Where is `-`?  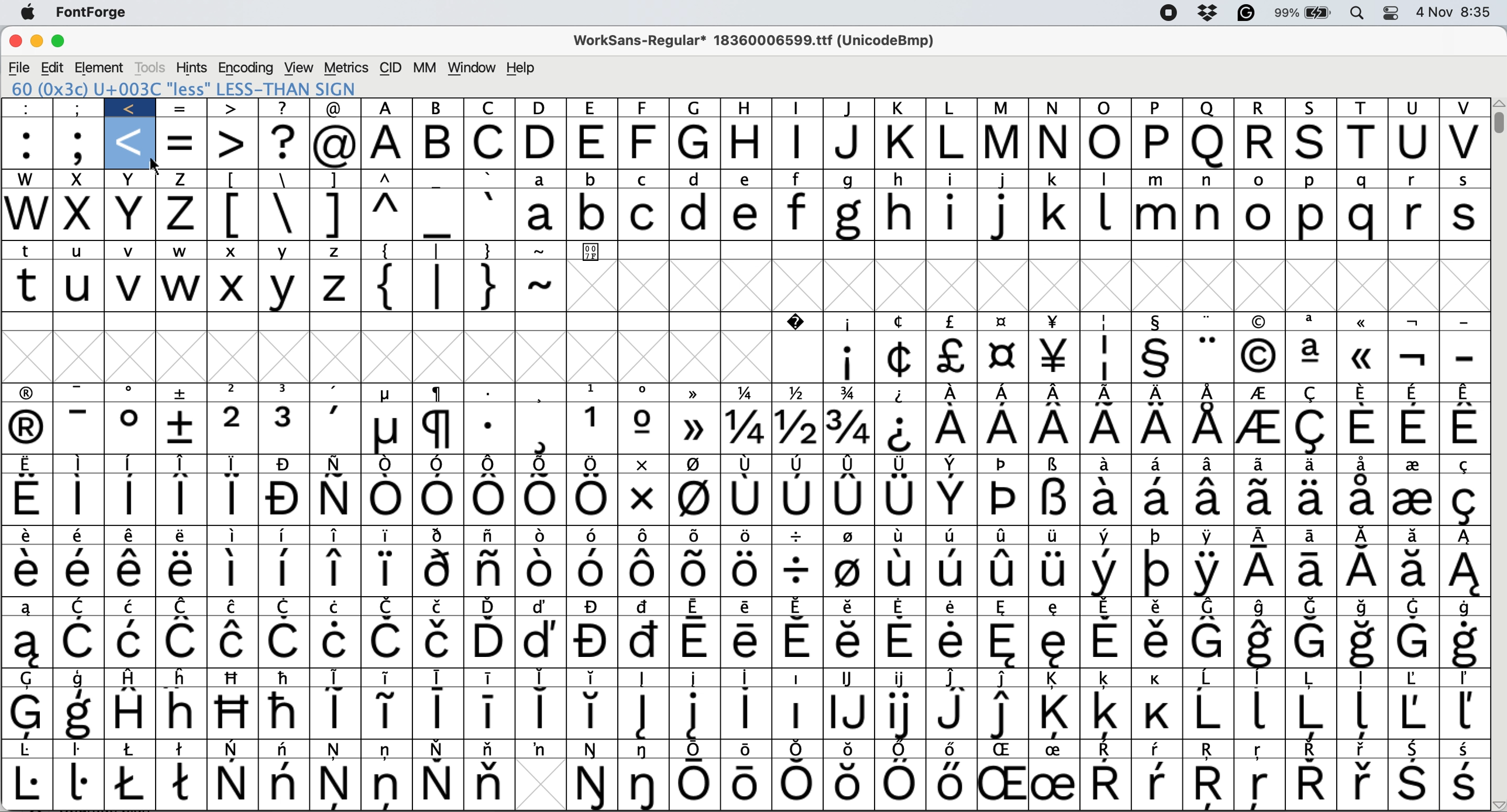
- is located at coordinates (1465, 323).